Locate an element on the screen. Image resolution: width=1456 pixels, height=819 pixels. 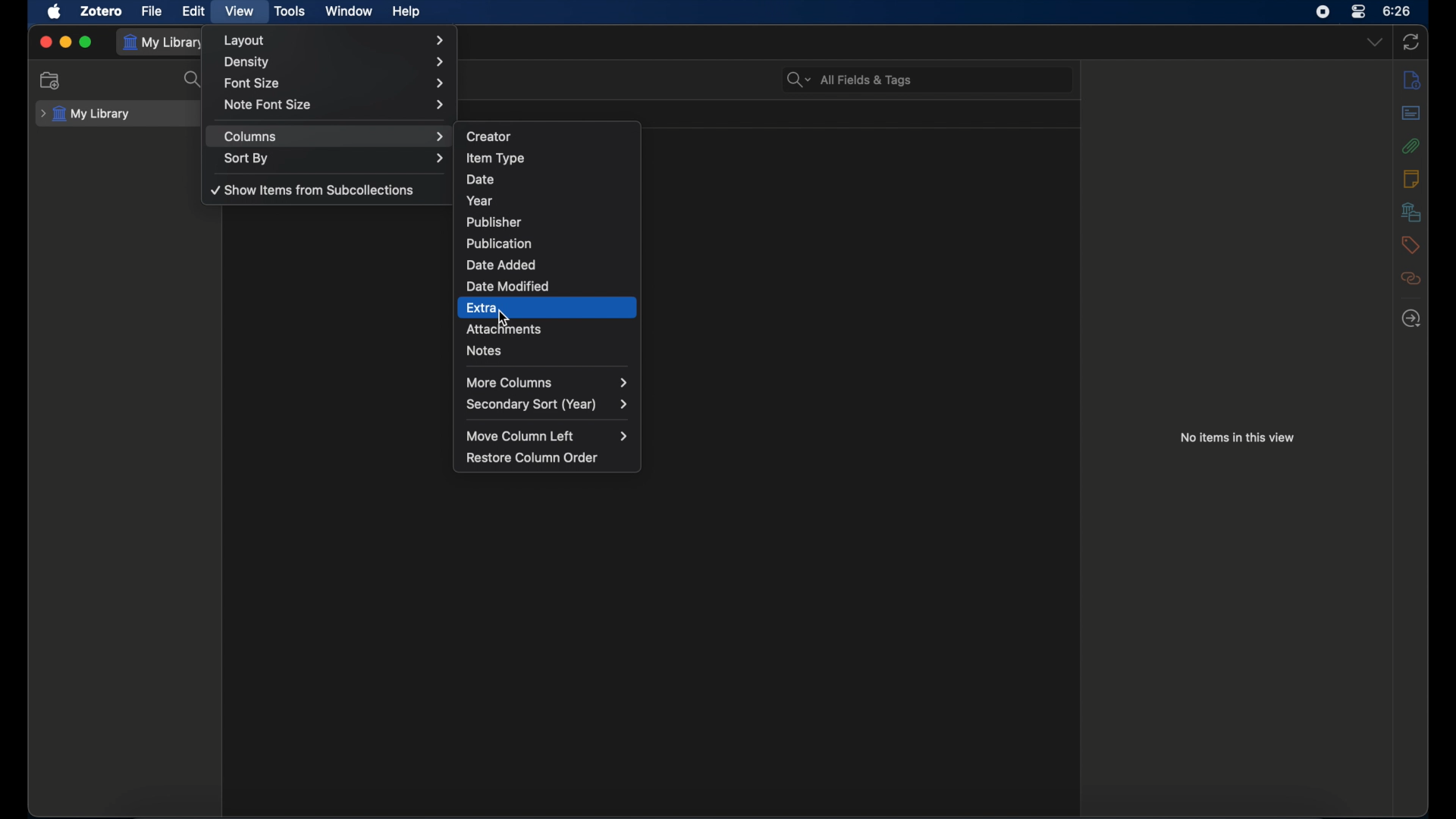
info is located at coordinates (1411, 79).